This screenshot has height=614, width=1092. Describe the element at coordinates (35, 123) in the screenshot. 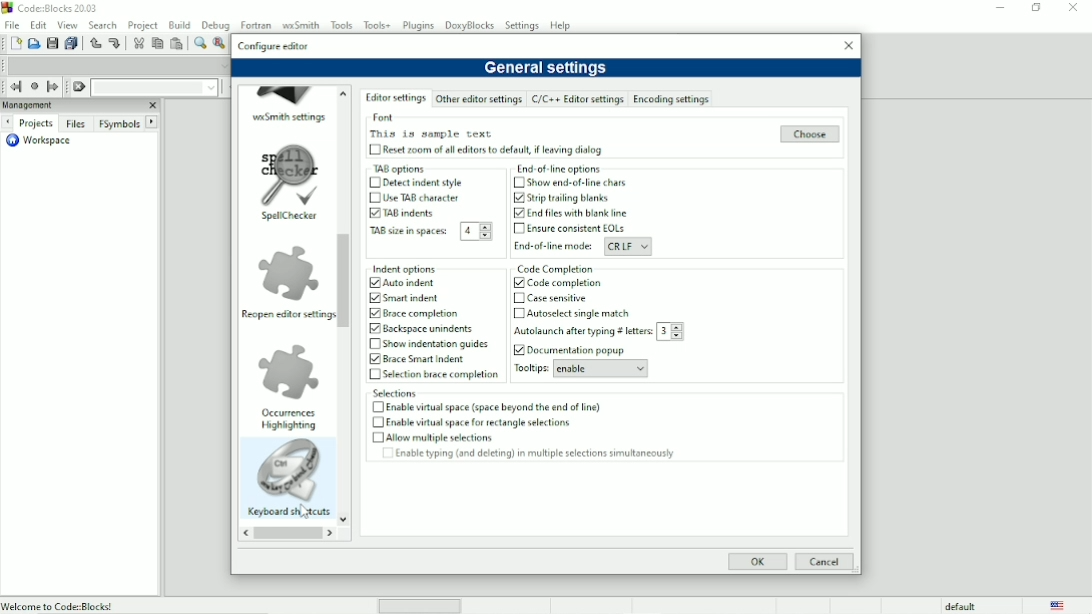

I see `Projects` at that location.